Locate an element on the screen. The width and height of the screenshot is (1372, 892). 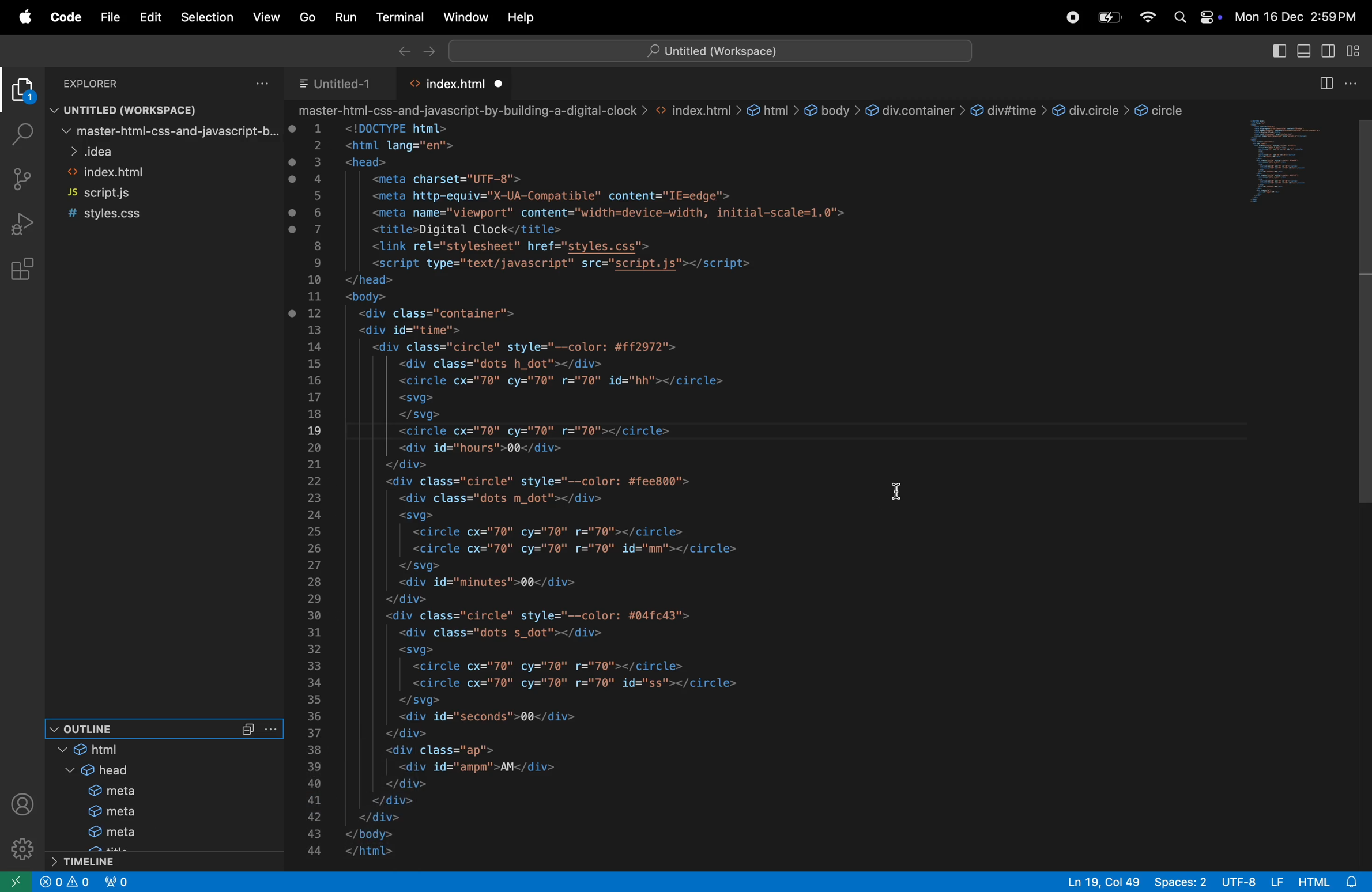
code window is located at coordinates (1285, 161).